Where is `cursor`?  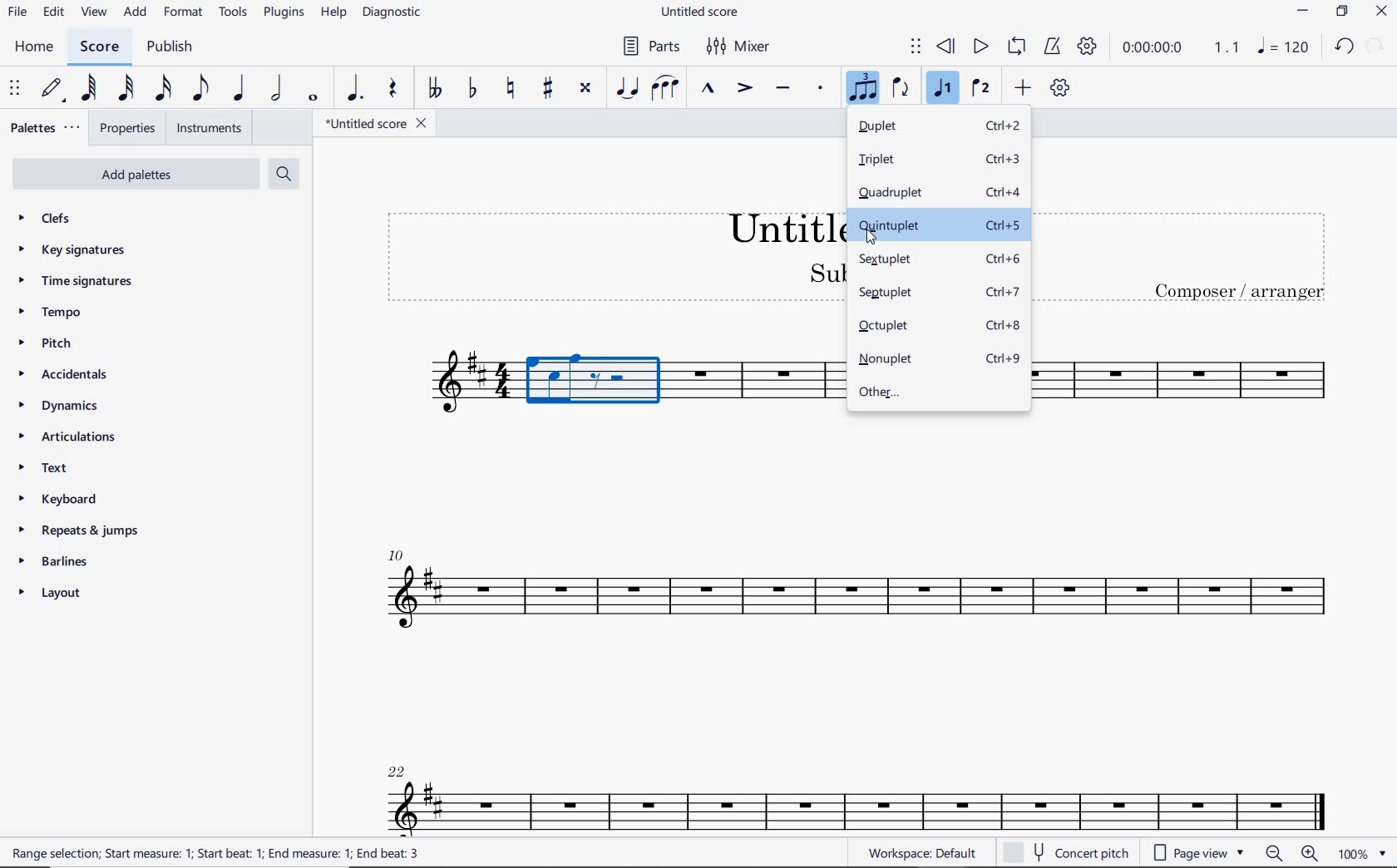
cursor is located at coordinates (870, 238).